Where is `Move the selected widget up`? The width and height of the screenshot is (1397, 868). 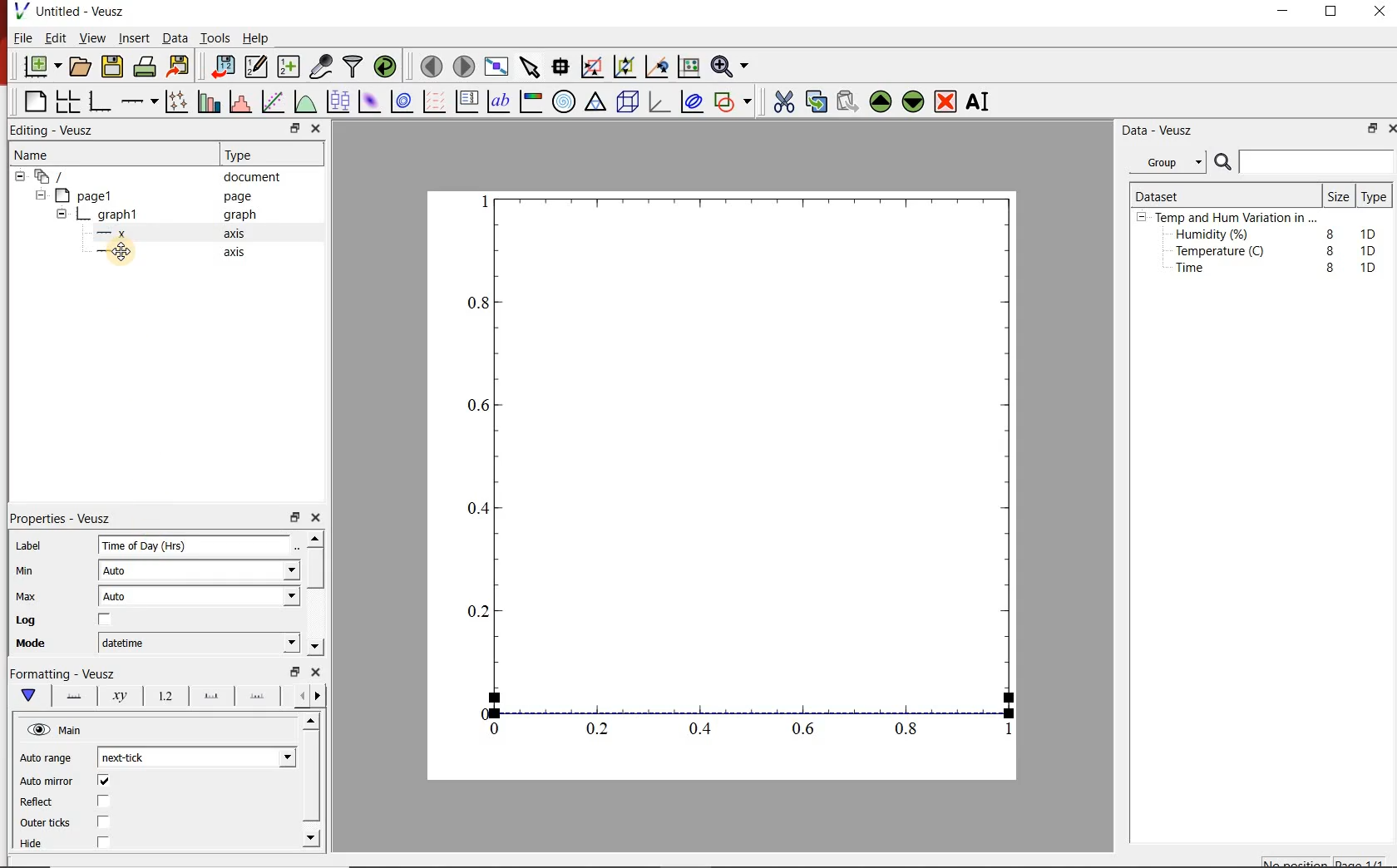
Move the selected widget up is located at coordinates (881, 100).